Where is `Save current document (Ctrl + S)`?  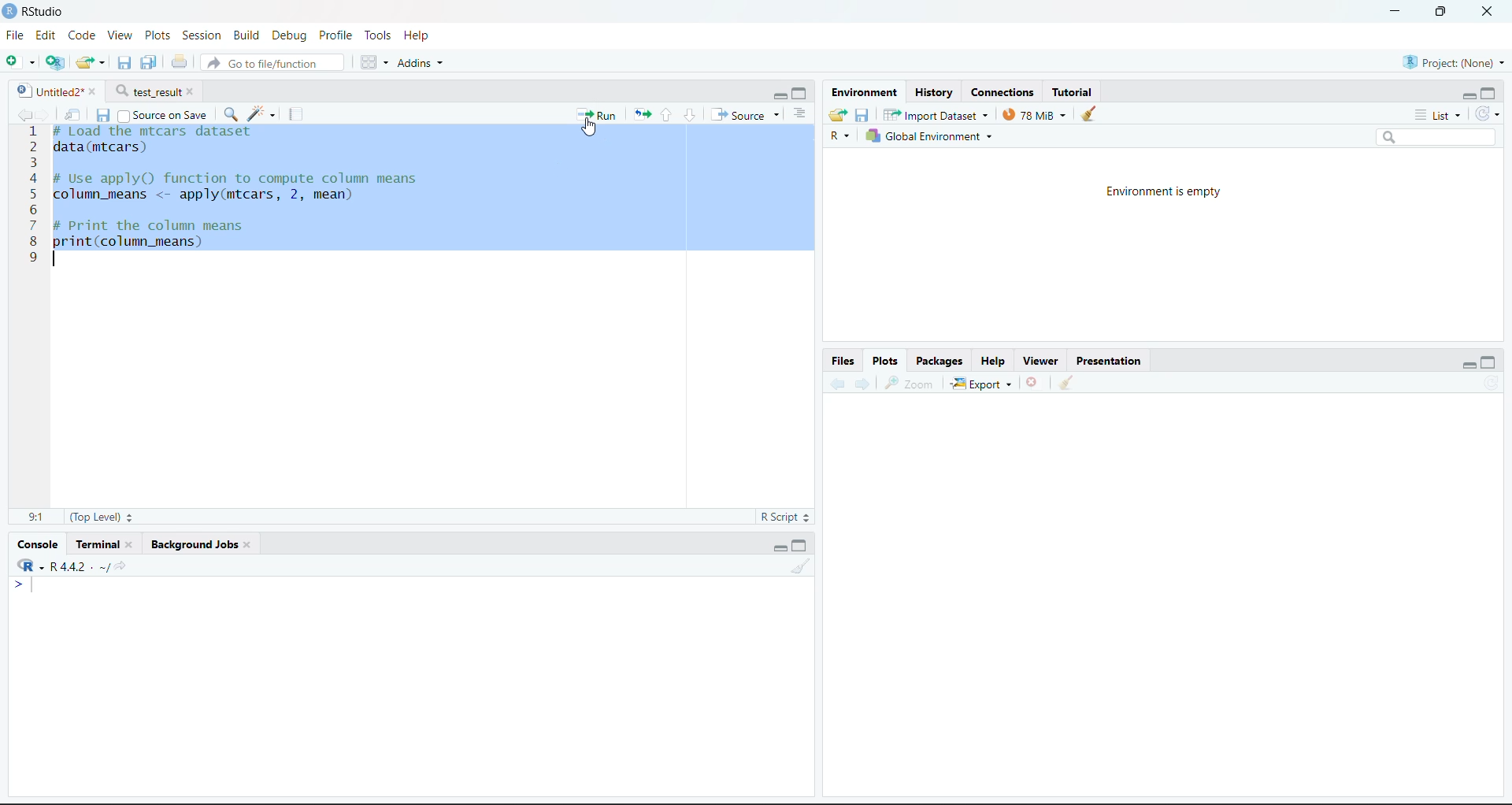
Save current document (Ctrl + S) is located at coordinates (126, 61).